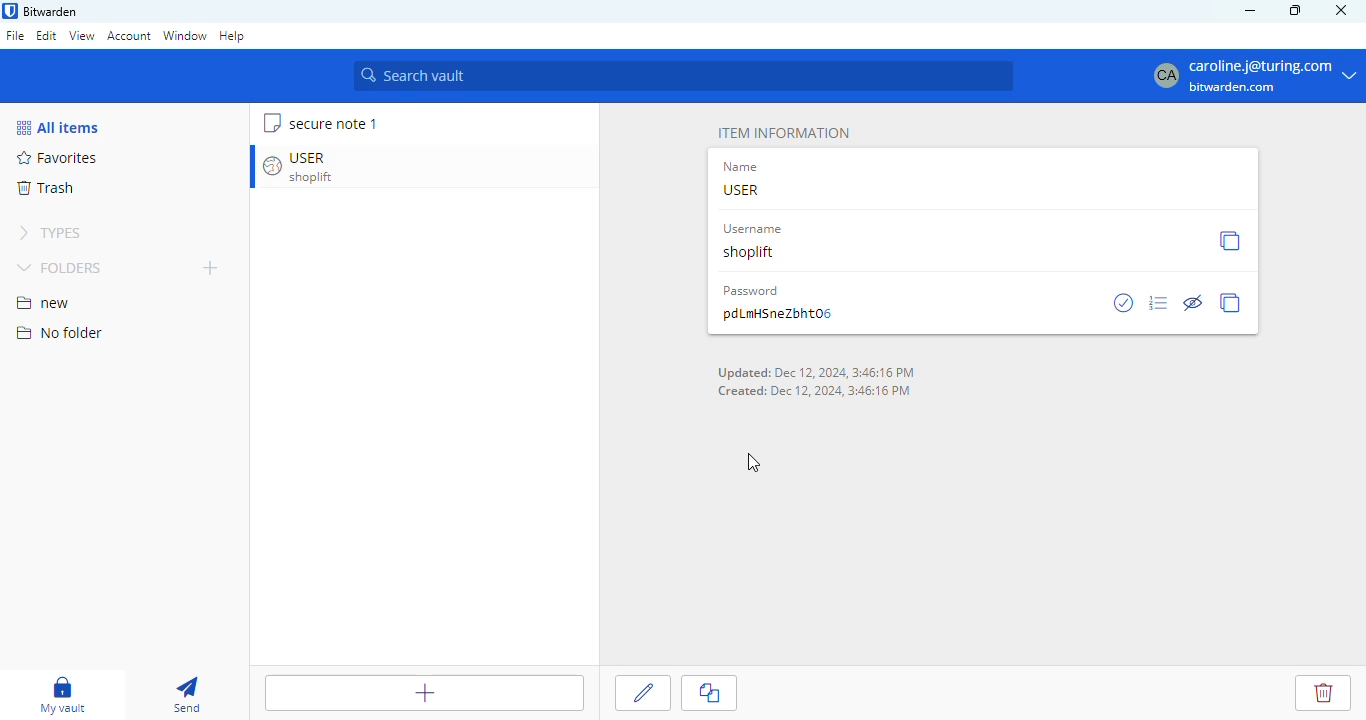 The image size is (1366, 720). What do you see at coordinates (685, 75) in the screenshot?
I see `search vault` at bounding box center [685, 75].